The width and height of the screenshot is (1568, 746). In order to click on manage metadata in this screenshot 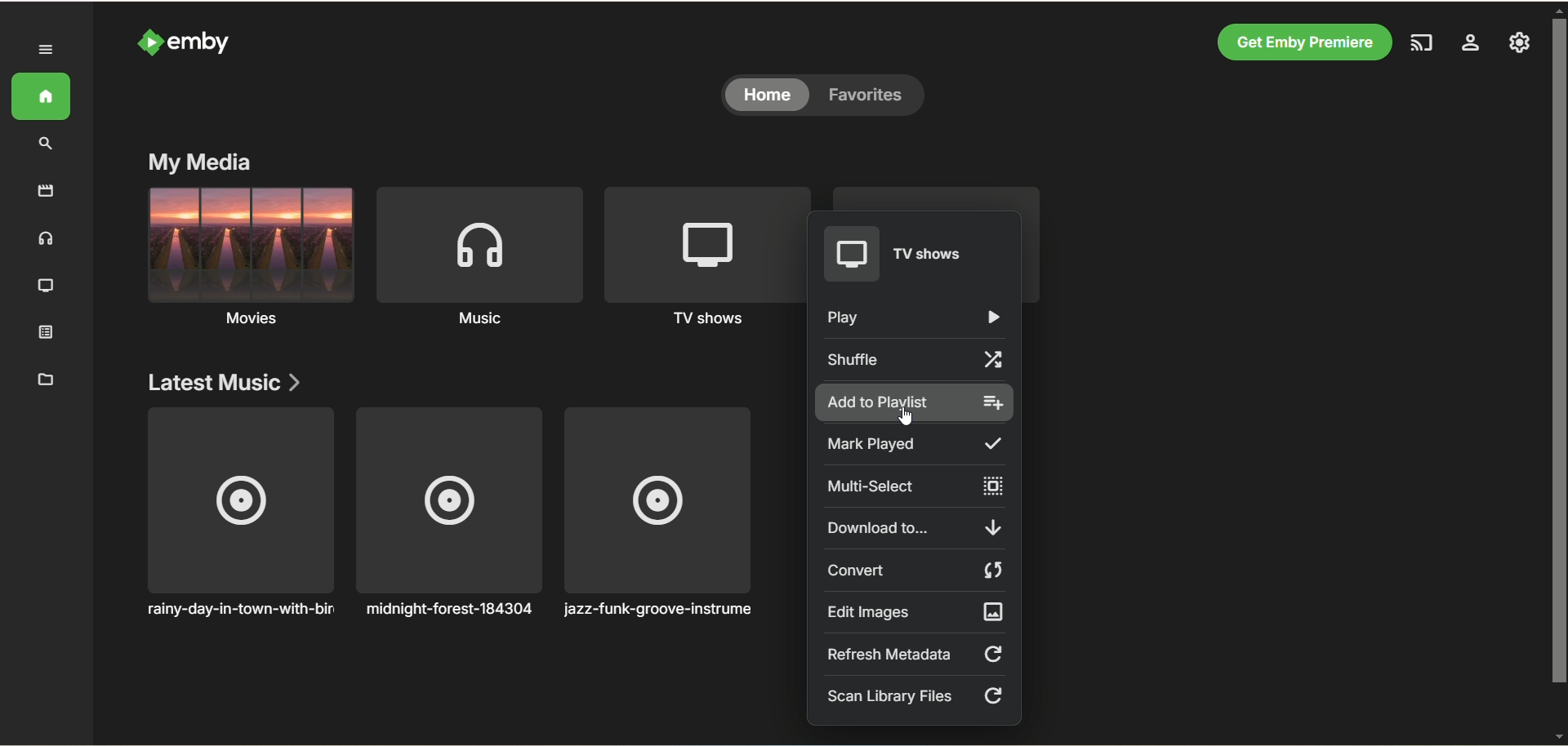, I will do `click(46, 379)`.